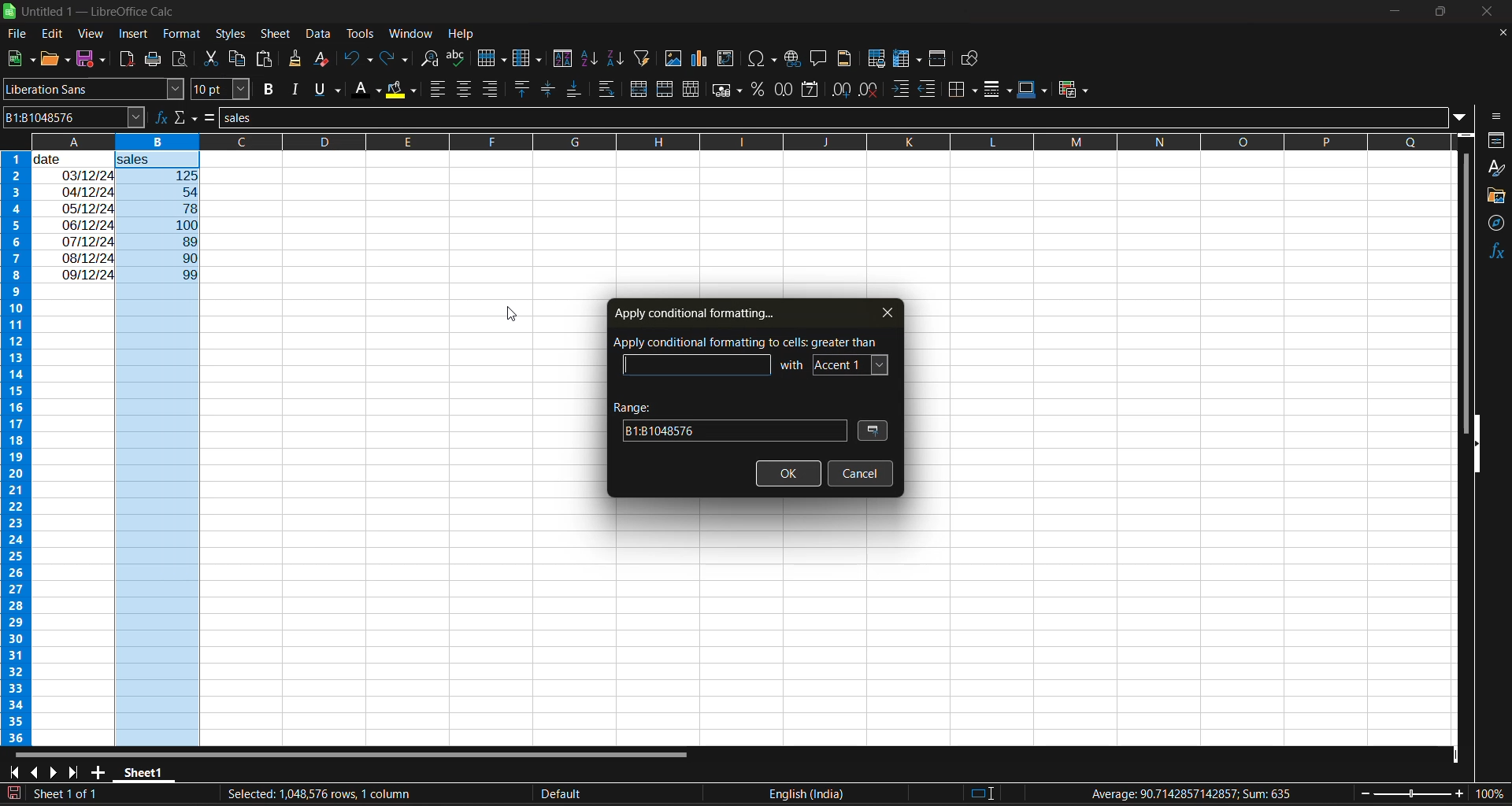  What do you see at coordinates (939, 59) in the screenshot?
I see `split window` at bounding box center [939, 59].